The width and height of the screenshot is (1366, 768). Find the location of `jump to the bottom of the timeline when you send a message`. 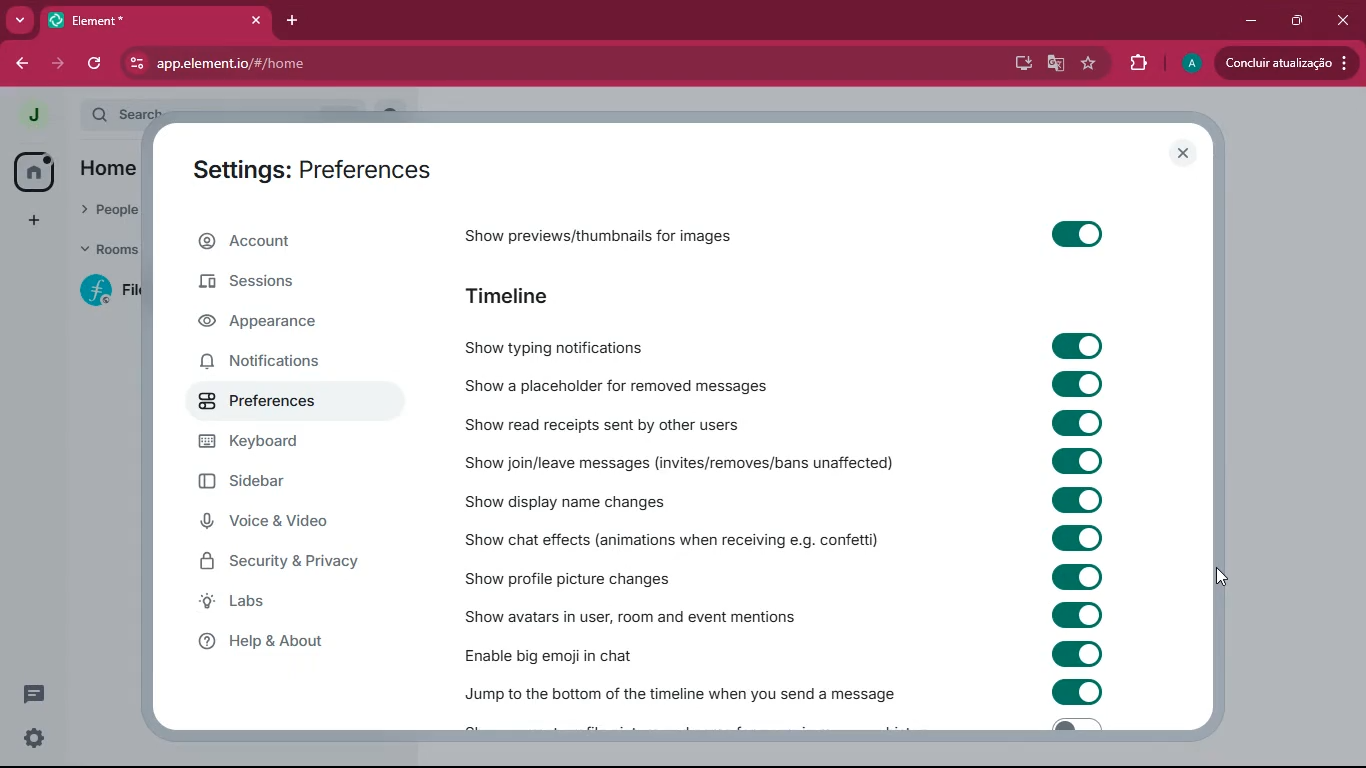

jump to the bottom of the timeline when you send a message is located at coordinates (686, 691).